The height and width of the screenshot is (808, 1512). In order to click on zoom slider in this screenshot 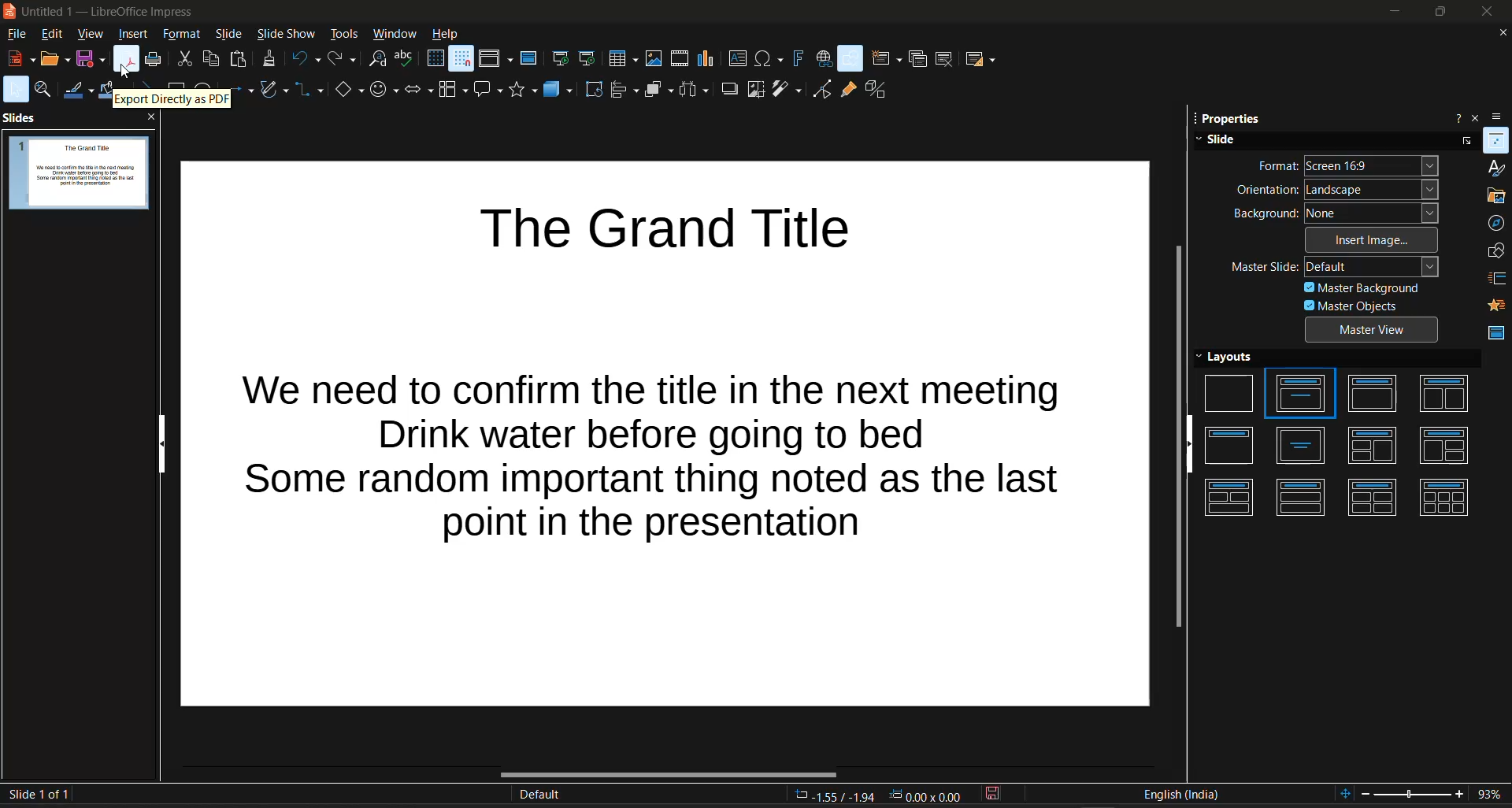, I will do `click(1412, 795)`.